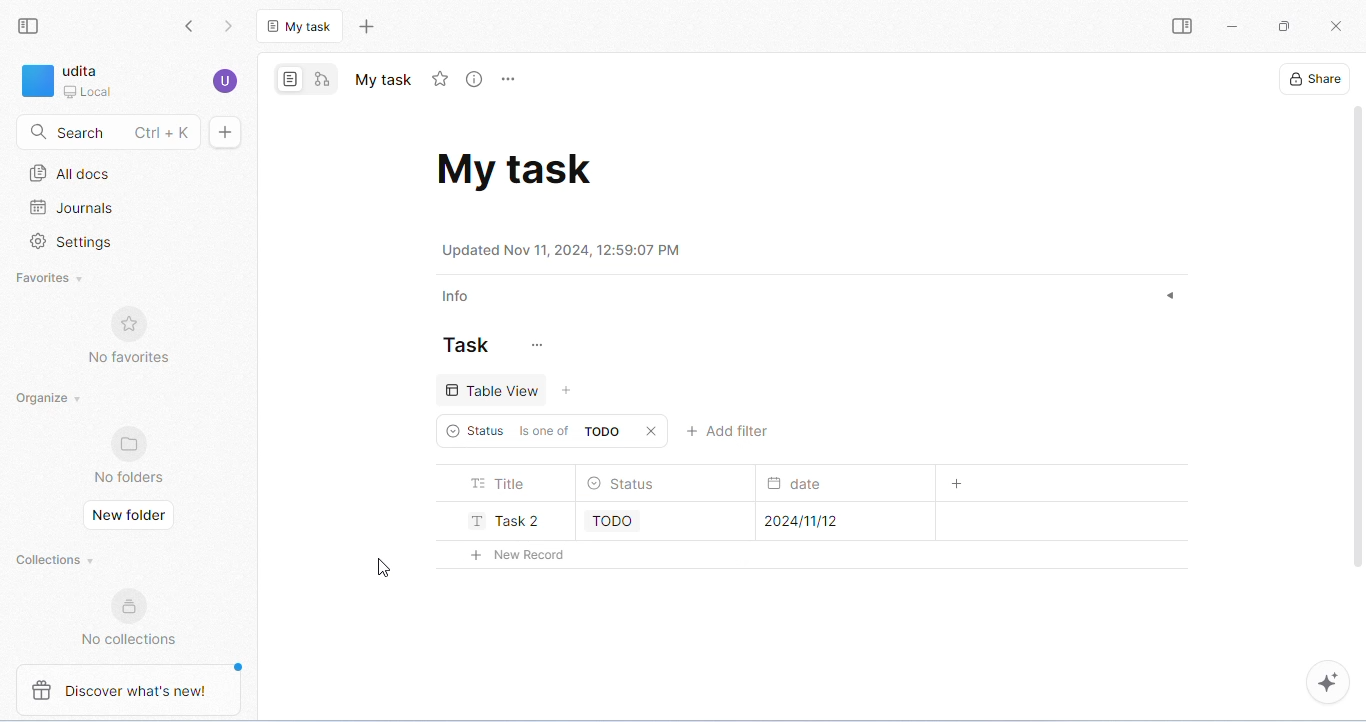 This screenshot has width=1366, height=722. What do you see at coordinates (126, 690) in the screenshot?
I see `discover what's new` at bounding box center [126, 690].